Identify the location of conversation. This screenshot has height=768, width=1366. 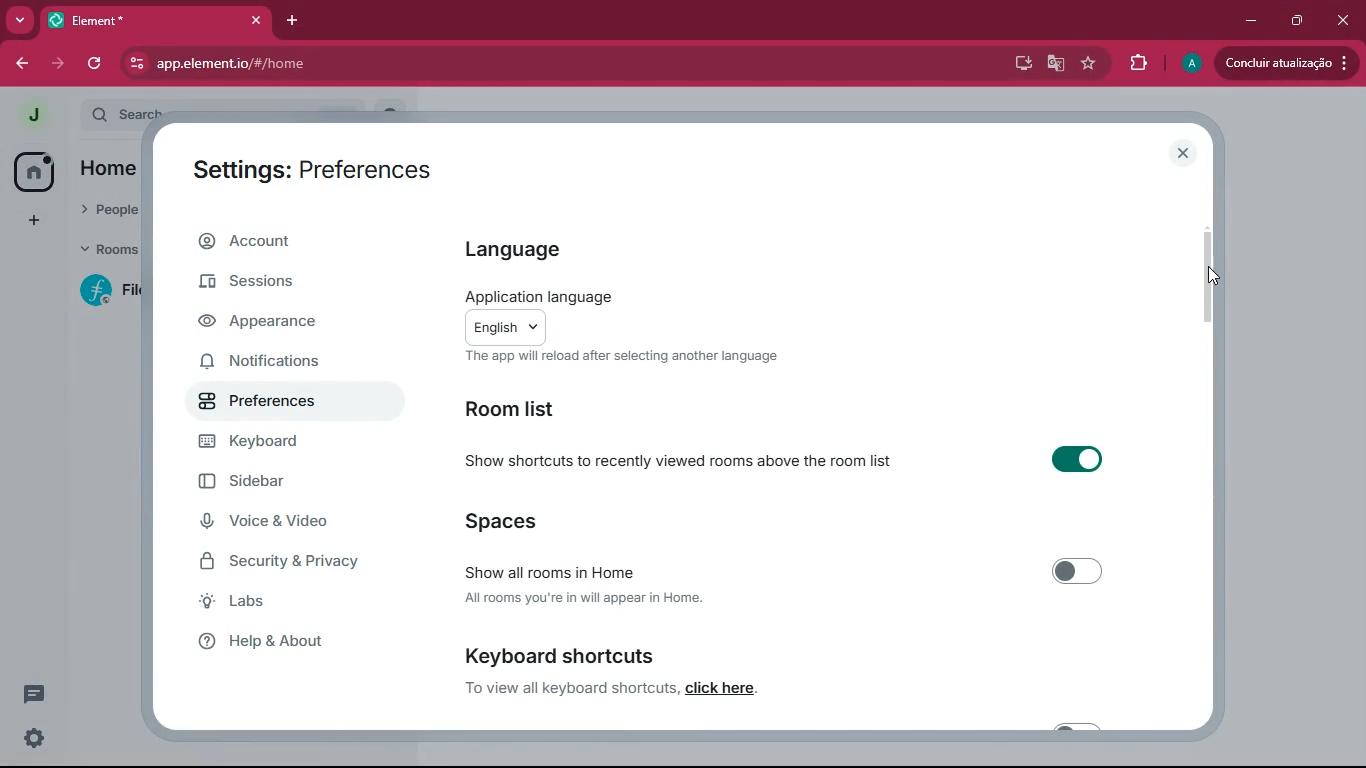
(30, 694).